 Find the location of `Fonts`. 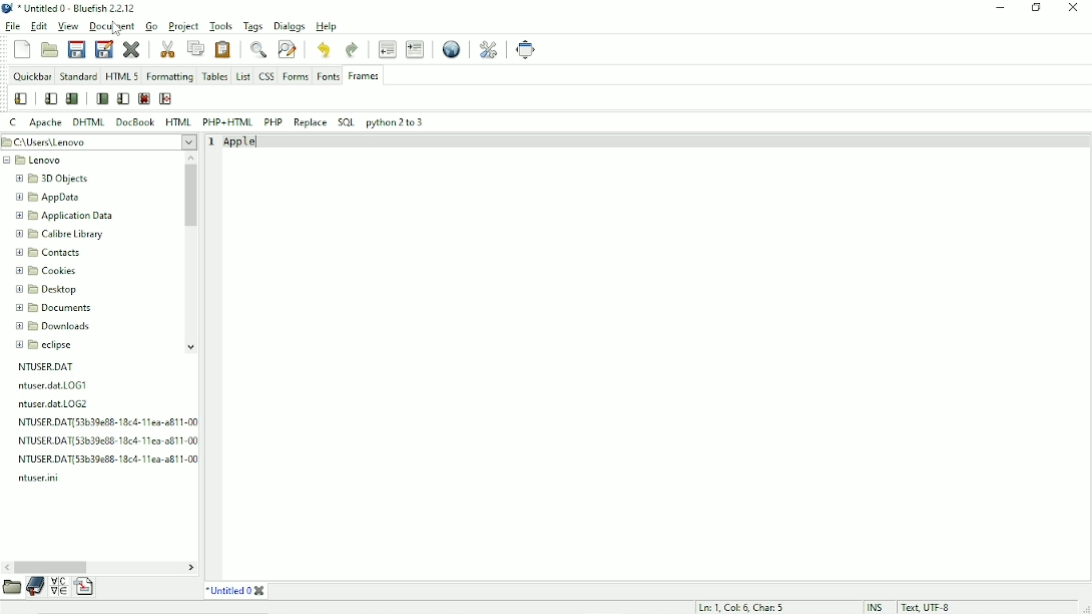

Fonts is located at coordinates (327, 77).